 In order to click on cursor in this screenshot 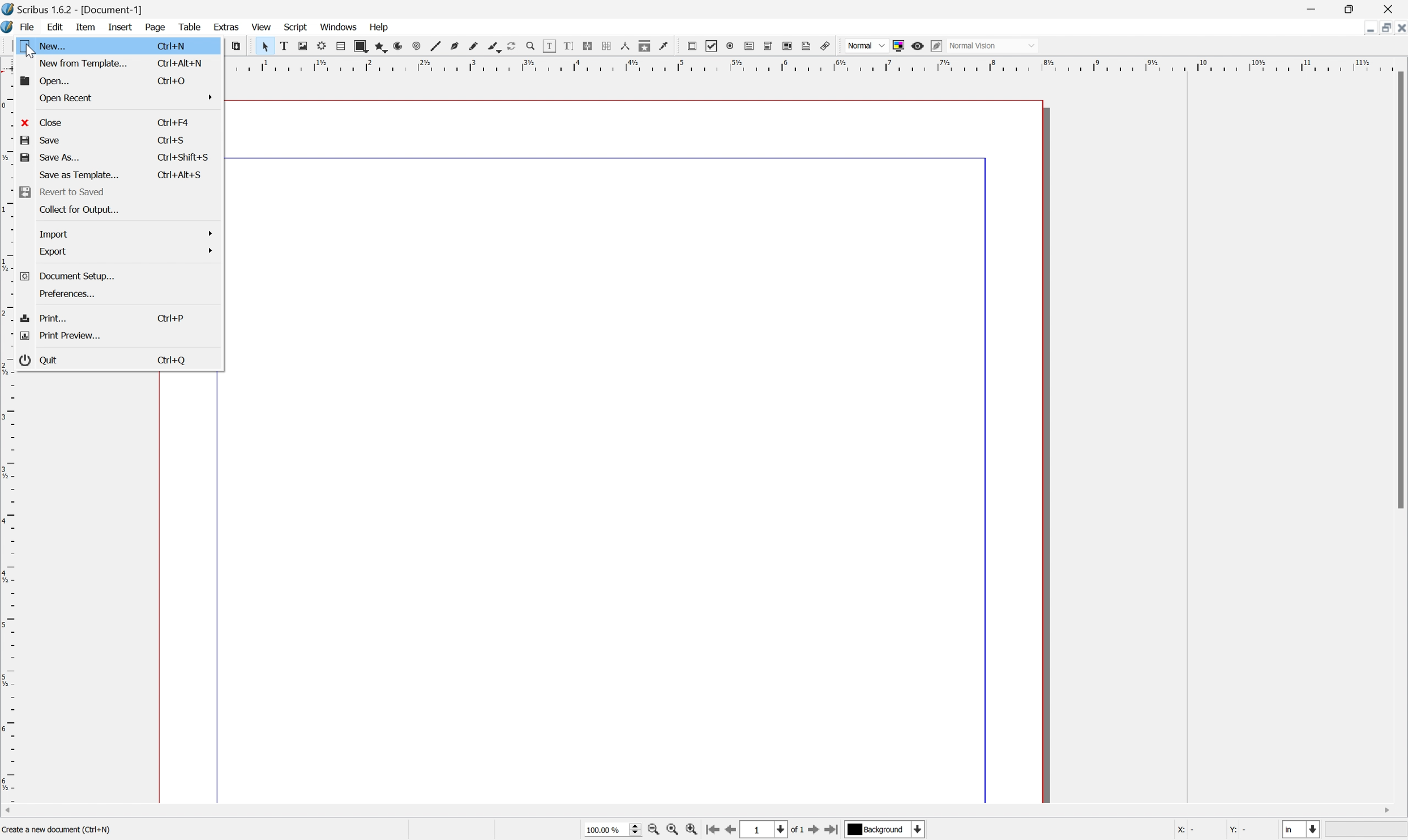, I will do `click(30, 51)`.